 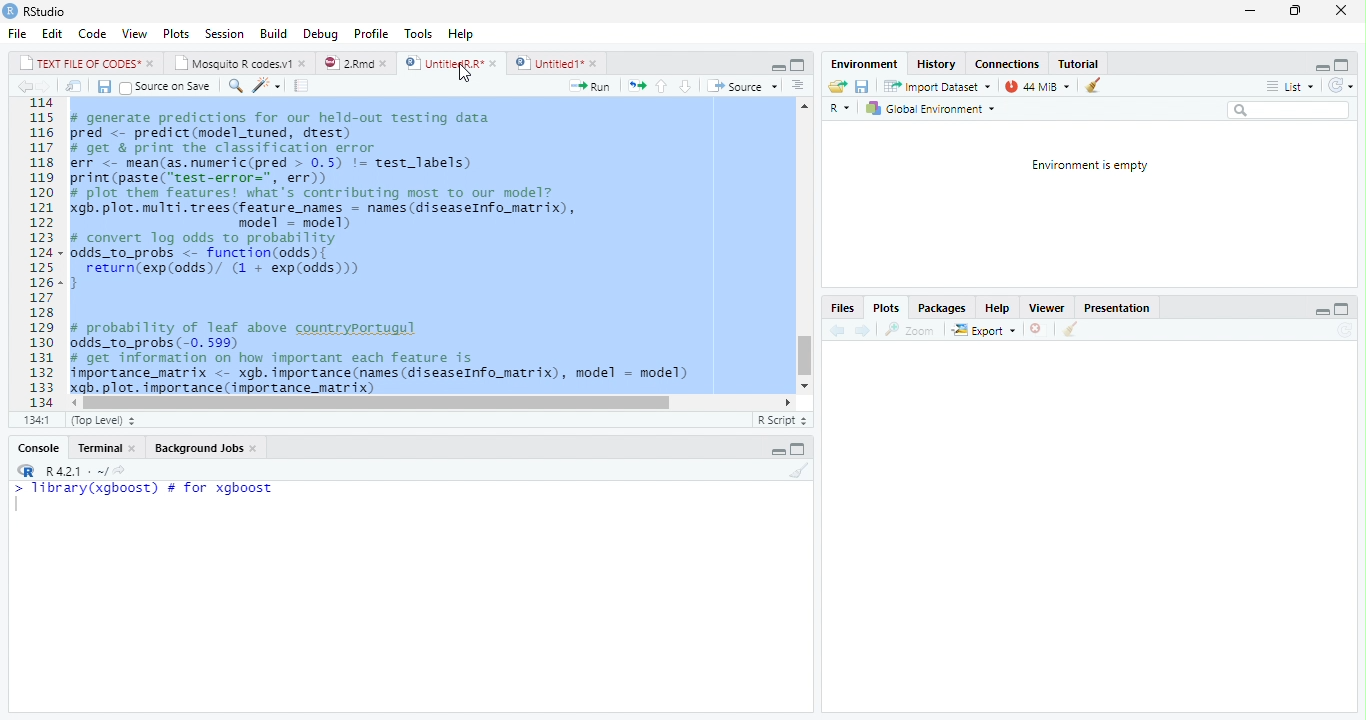 I want to click on # probability of leaf above countryportugul

odds_to_probs (-0. 599)

# get information on how important each feature is

importance_matrix <- xgb. importance (names (diseaseInfo_matrix), model = model)
xgb. plot. importance (importance_matrix), so click(x=388, y=355).